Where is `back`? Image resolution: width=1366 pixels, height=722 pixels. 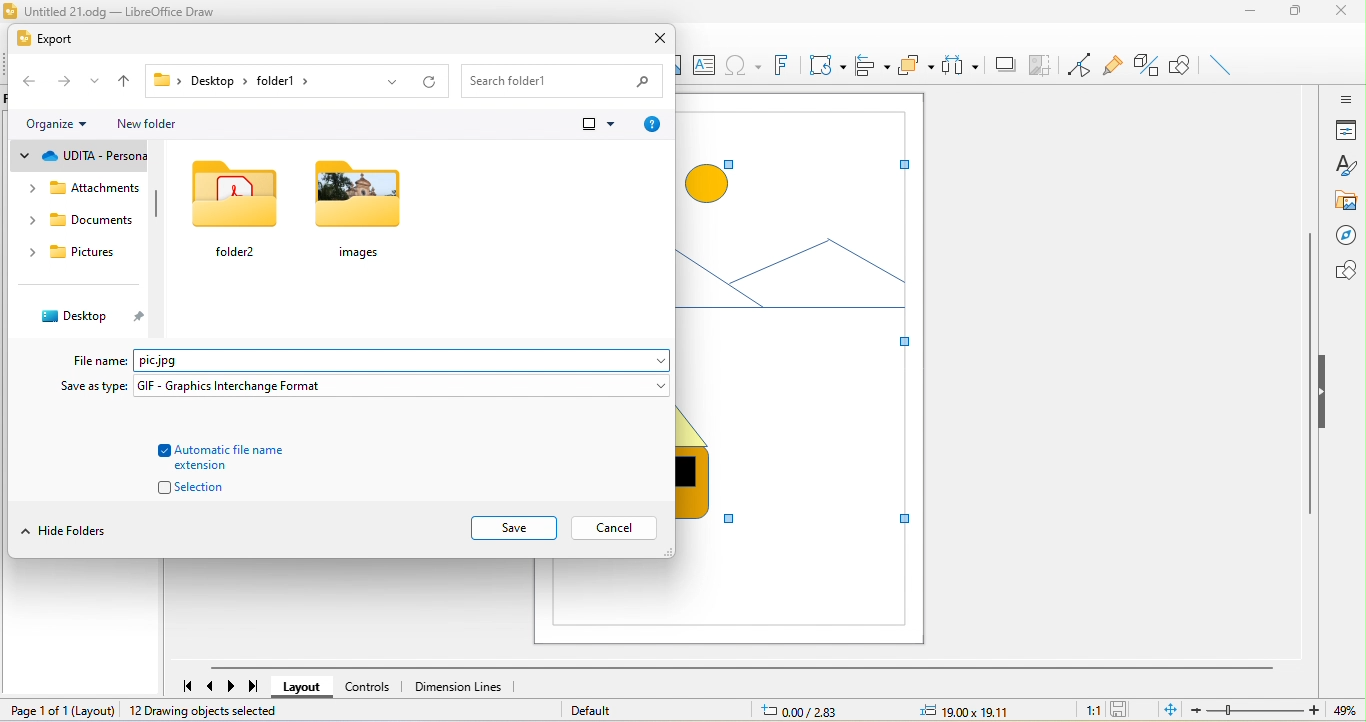 back is located at coordinates (30, 82).